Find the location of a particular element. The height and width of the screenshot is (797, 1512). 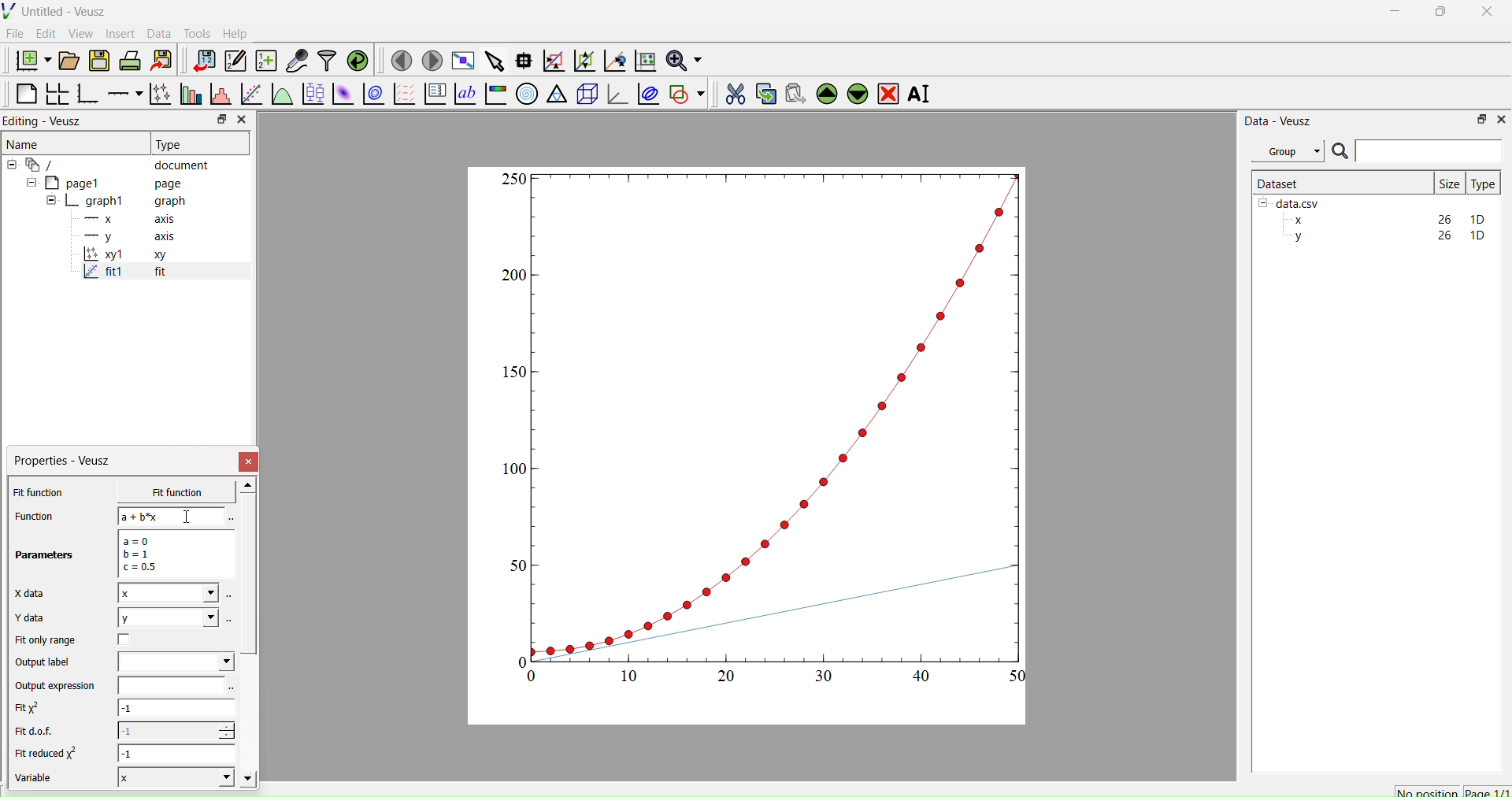

Type is located at coordinates (171, 144).